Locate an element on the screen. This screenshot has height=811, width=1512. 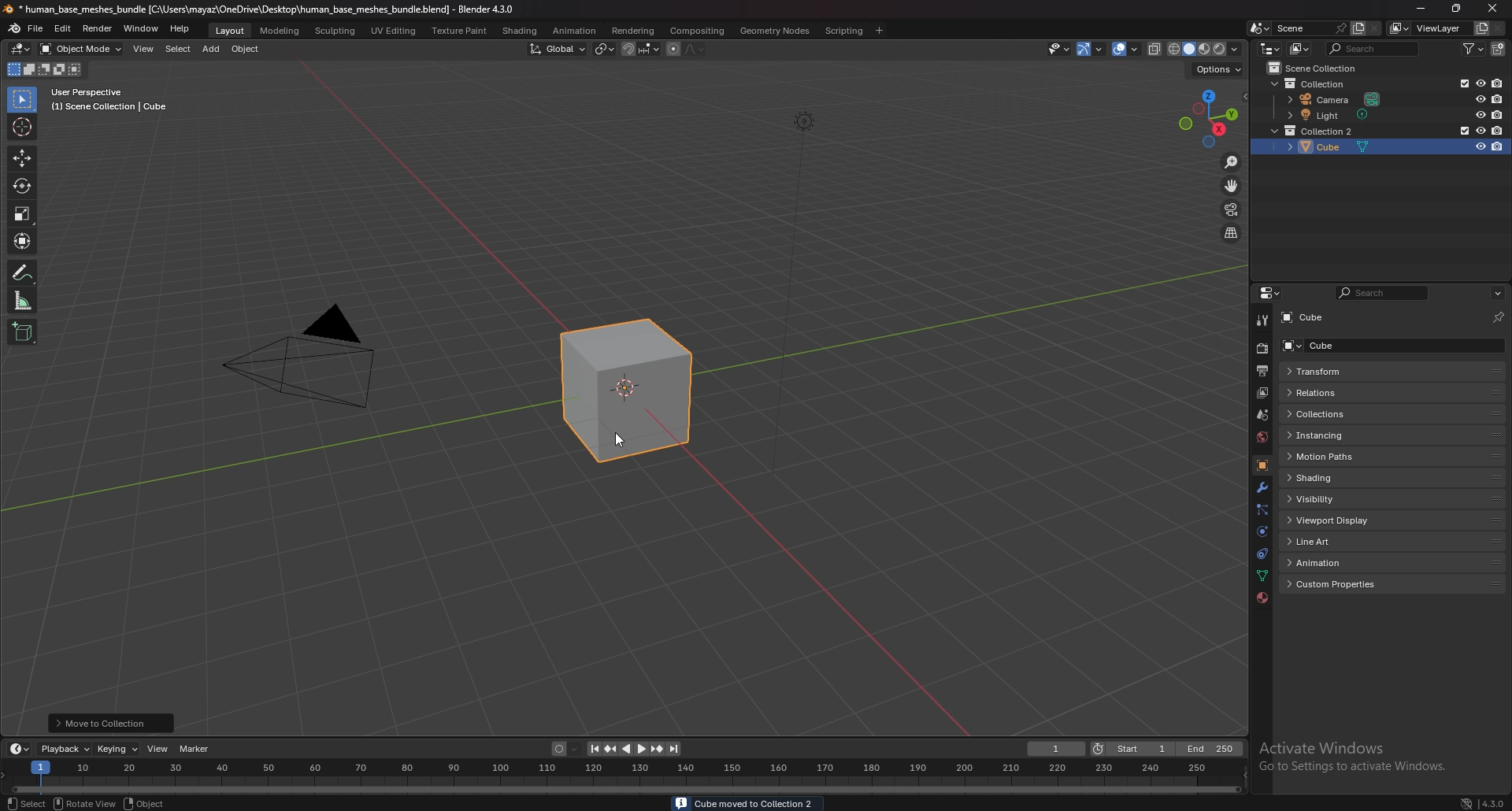
zoom is located at coordinates (1232, 161).